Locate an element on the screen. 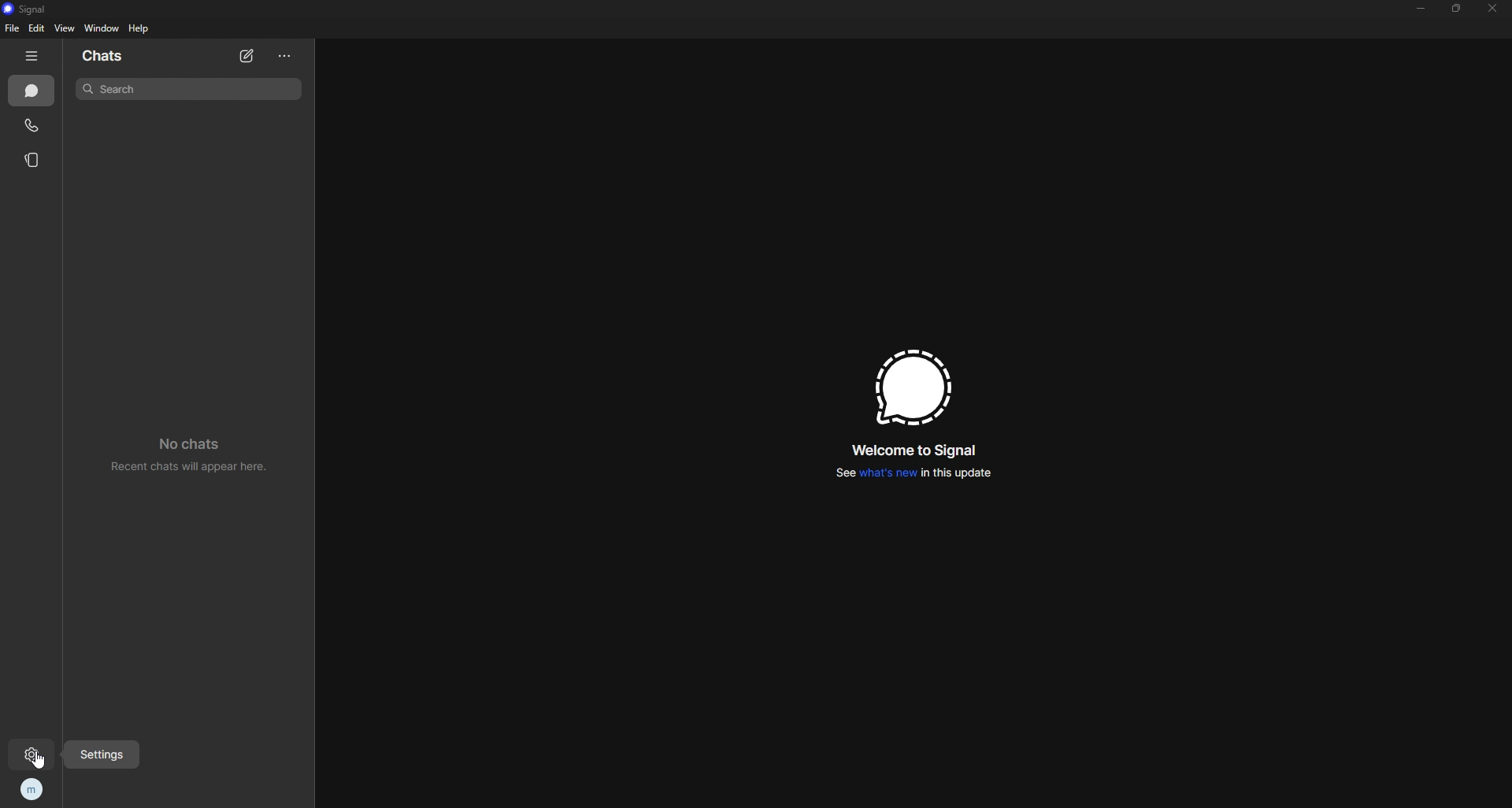 This screenshot has height=808, width=1512. calls is located at coordinates (33, 126).